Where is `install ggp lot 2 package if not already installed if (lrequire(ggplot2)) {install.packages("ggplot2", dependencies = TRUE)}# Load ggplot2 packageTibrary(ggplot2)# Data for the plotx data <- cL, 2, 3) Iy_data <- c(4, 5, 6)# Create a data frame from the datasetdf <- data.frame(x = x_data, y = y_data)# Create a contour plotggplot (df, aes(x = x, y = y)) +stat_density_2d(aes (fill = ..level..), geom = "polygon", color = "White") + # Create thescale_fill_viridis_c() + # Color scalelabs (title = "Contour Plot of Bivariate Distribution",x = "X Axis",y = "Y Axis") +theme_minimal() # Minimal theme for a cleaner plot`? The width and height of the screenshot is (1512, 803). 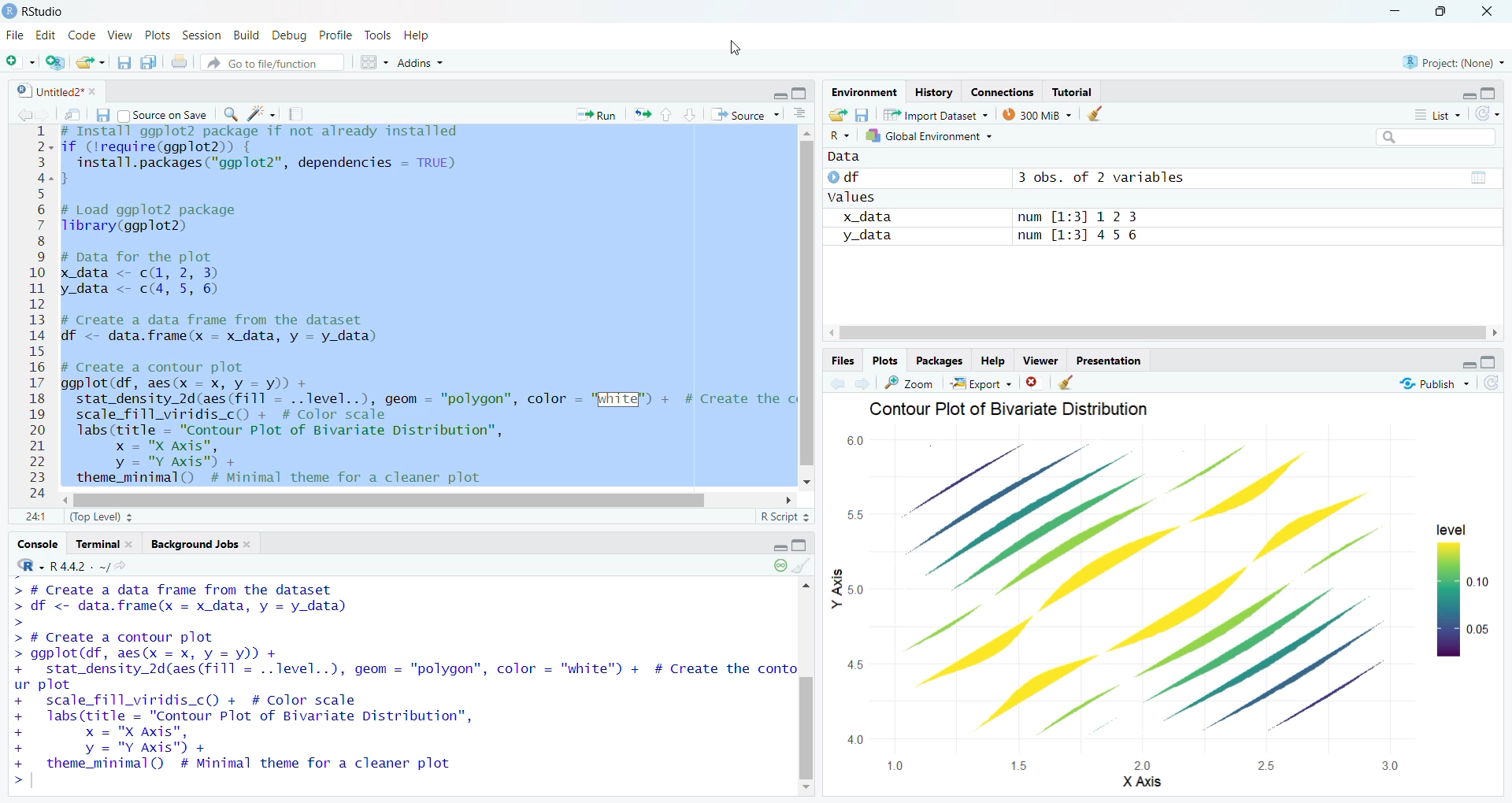
install ggp lot 2 package if not already installed if (lrequire(ggplot2)) {install.packages("ggplot2", dependencies = TRUE)}# Load ggplot2 packageTibrary(ggplot2)# Data for the plotx data <- cL, 2, 3) Iy_data <- c(4, 5, 6)# Create a data frame from the datasetdf <- data.frame(x = x_data, y = y_data)# Create a contour plotggplot (df, aes(x = x, y = y)) +stat_density_2d(aes (fill = ..level..), geom = "polygon", color = "White") + # Create thescale_fill_viridis_c() + # Color scalelabs (title = "Contour Plot of Bivariate Distribution",x = "X Axis",y = "Y Axis") +theme_minimal() # Minimal theme for a cleaner plot is located at coordinates (422, 307).